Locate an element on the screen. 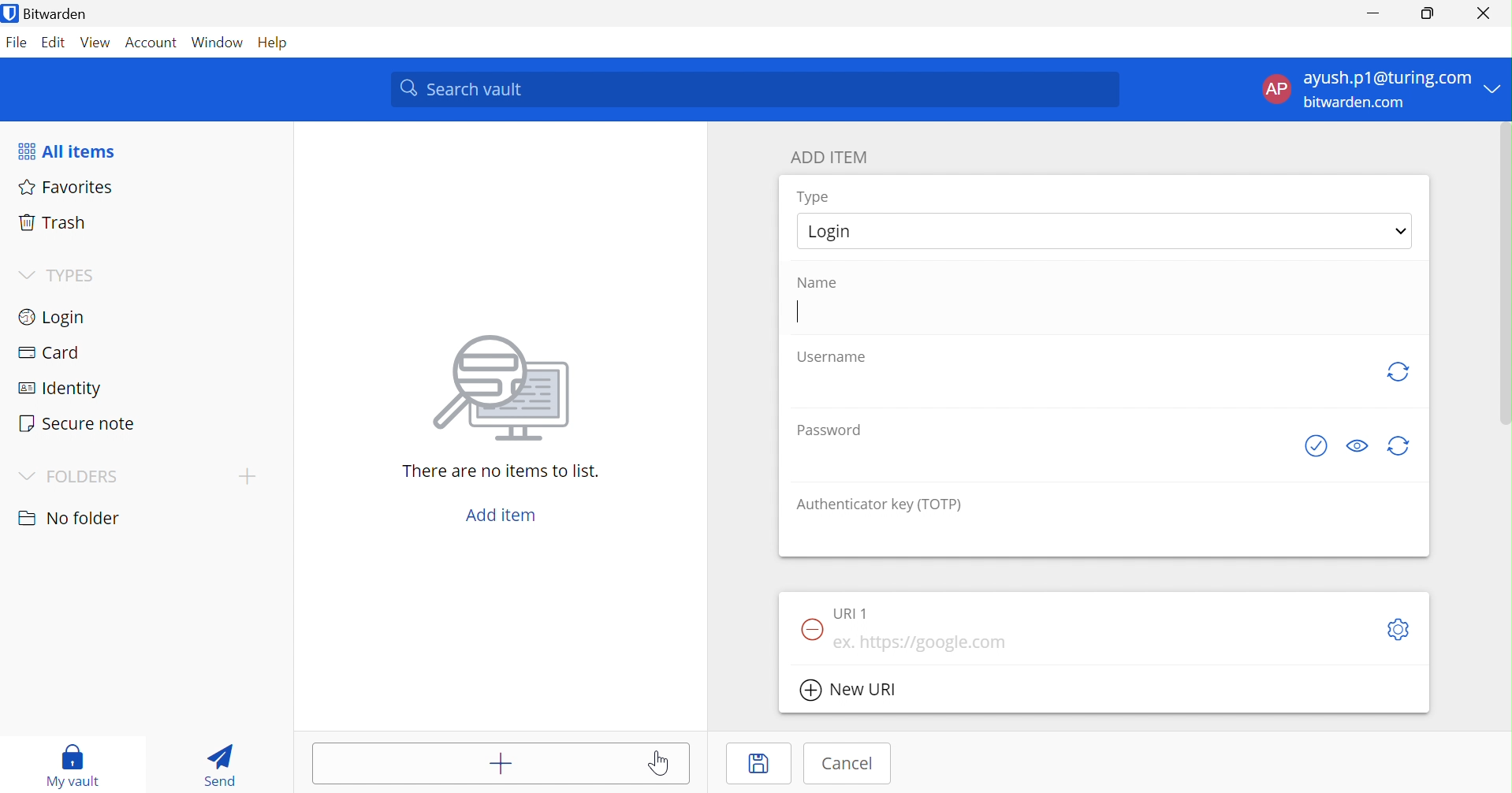 The width and height of the screenshot is (1512, 793). Minimize is located at coordinates (1375, 9).